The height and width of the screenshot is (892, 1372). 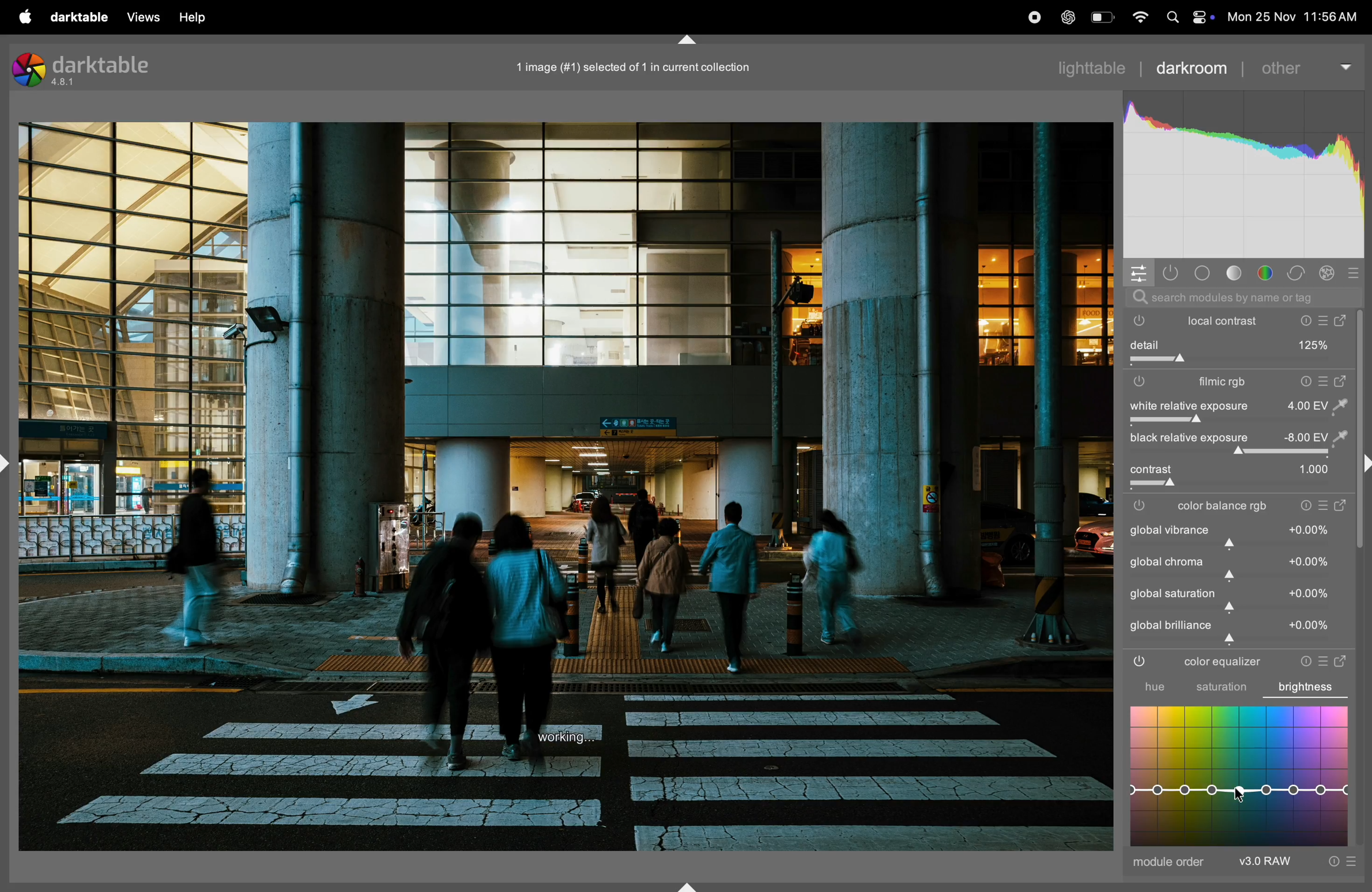 I want to click on image , so click(x=566, y=487).